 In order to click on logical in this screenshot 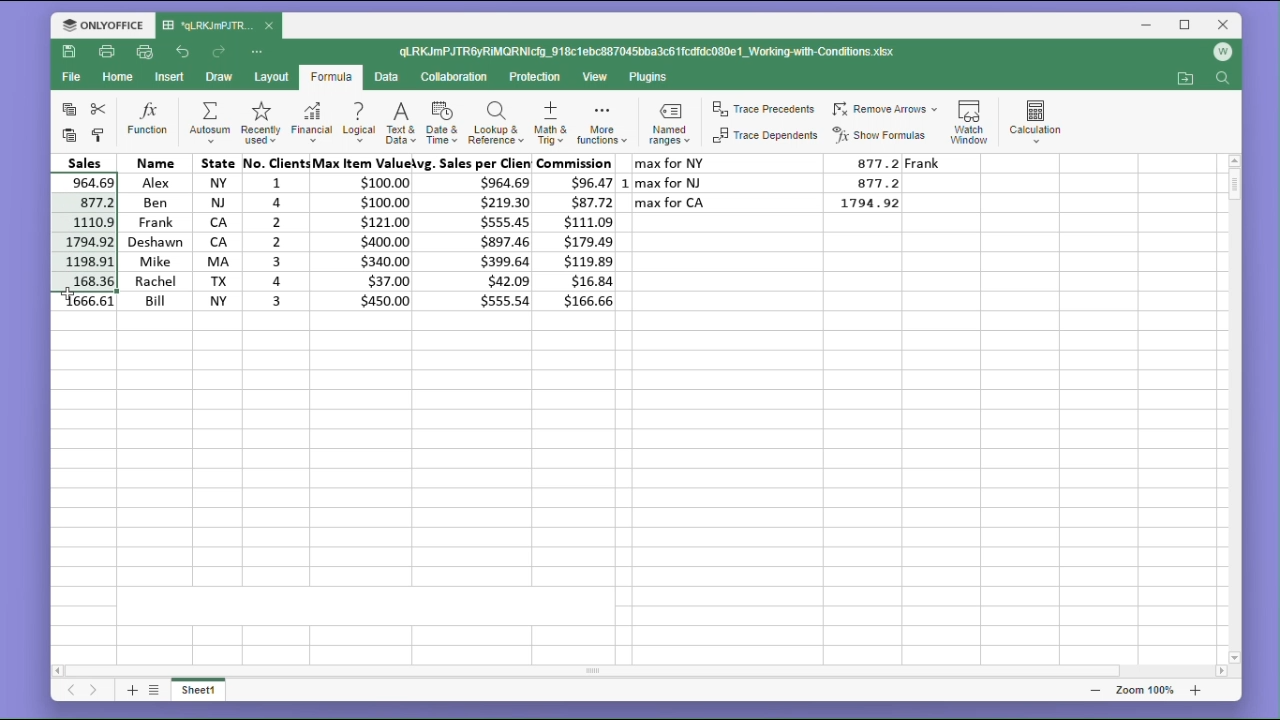, I will do `click(358, 124)`.